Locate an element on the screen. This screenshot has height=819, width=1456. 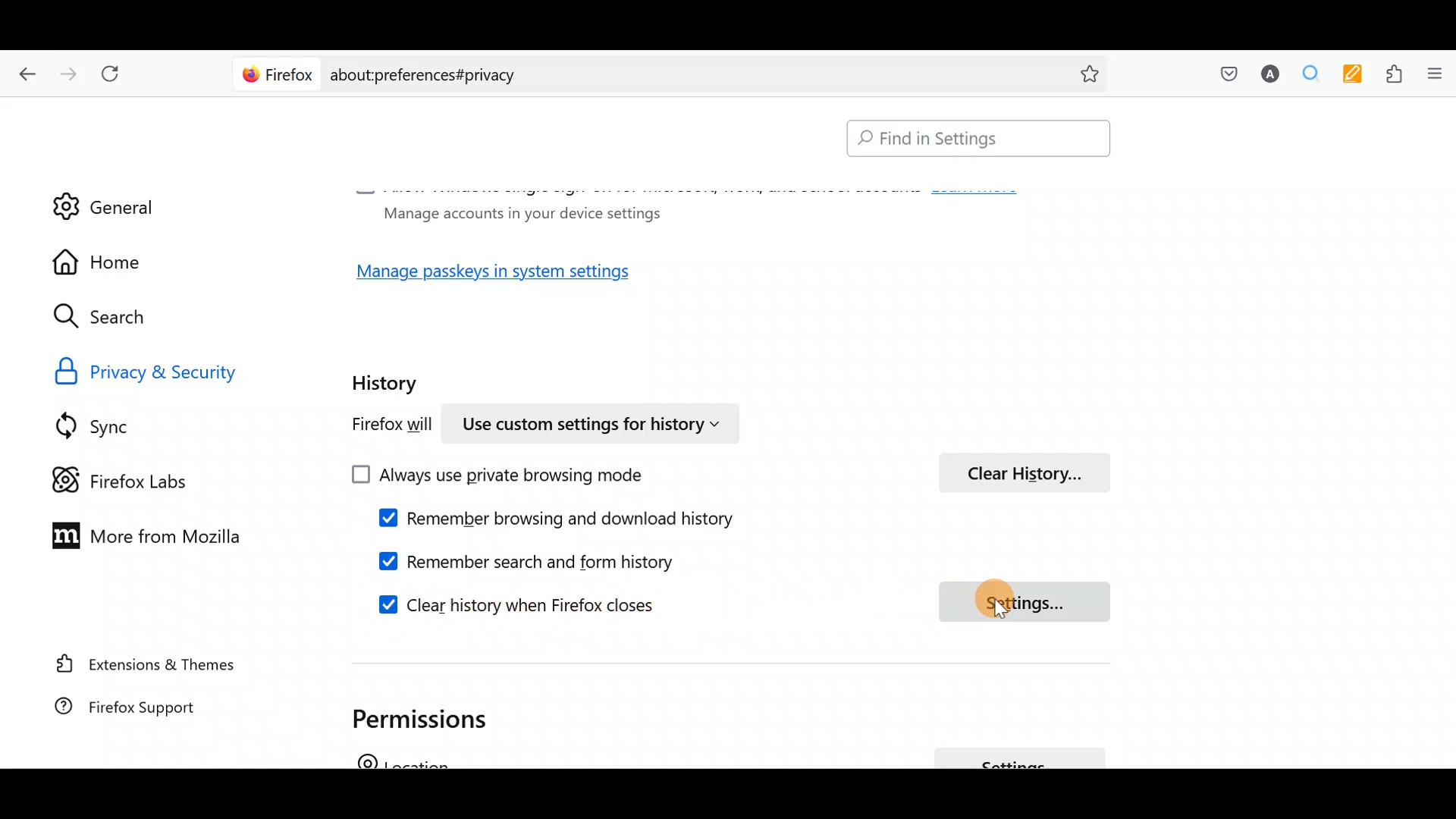
Go forward one page is located at coordinates (67, 70).